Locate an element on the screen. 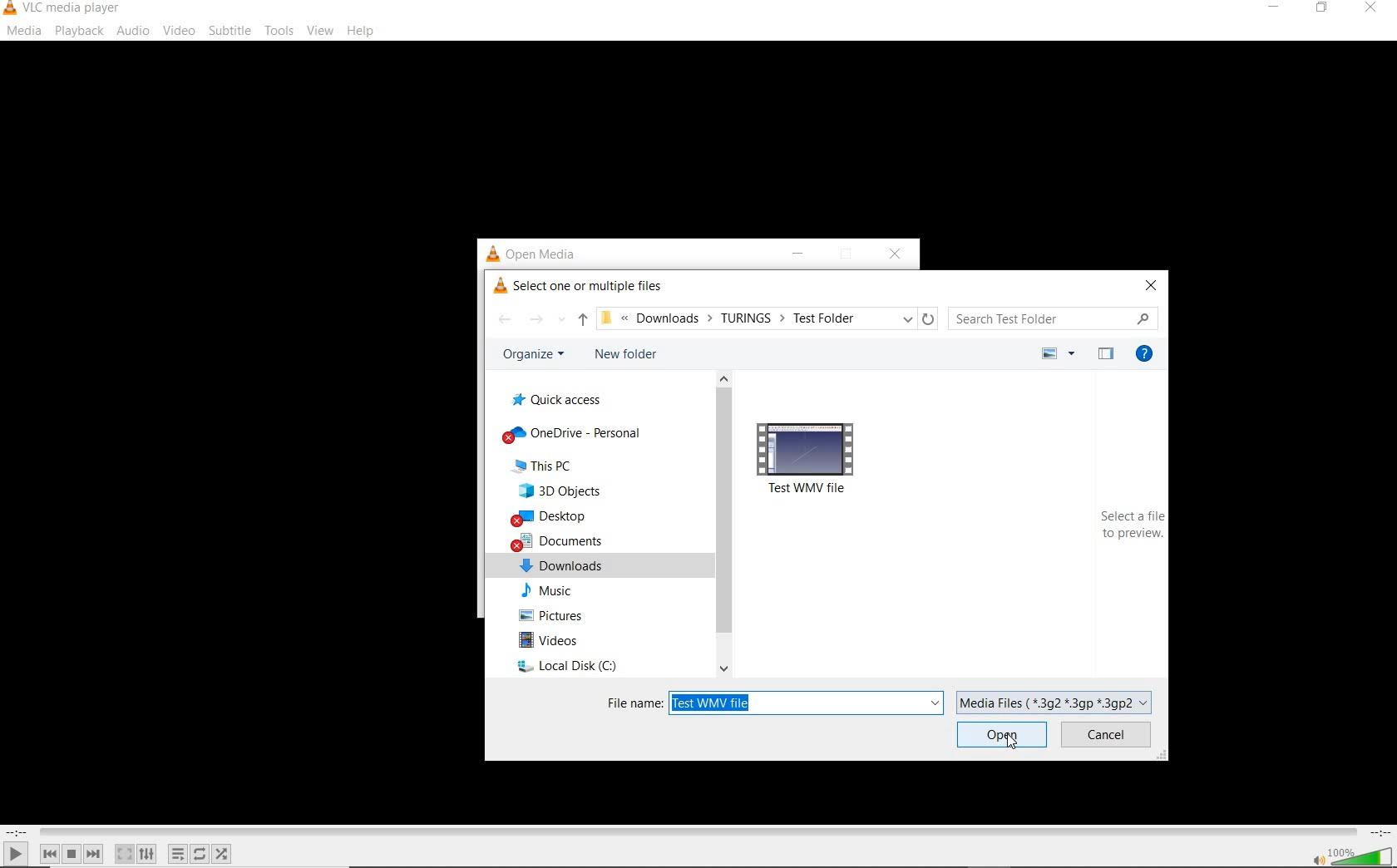 The width and height of the screenshot is (1397, 868). close is located at coordinates (1151, 287).